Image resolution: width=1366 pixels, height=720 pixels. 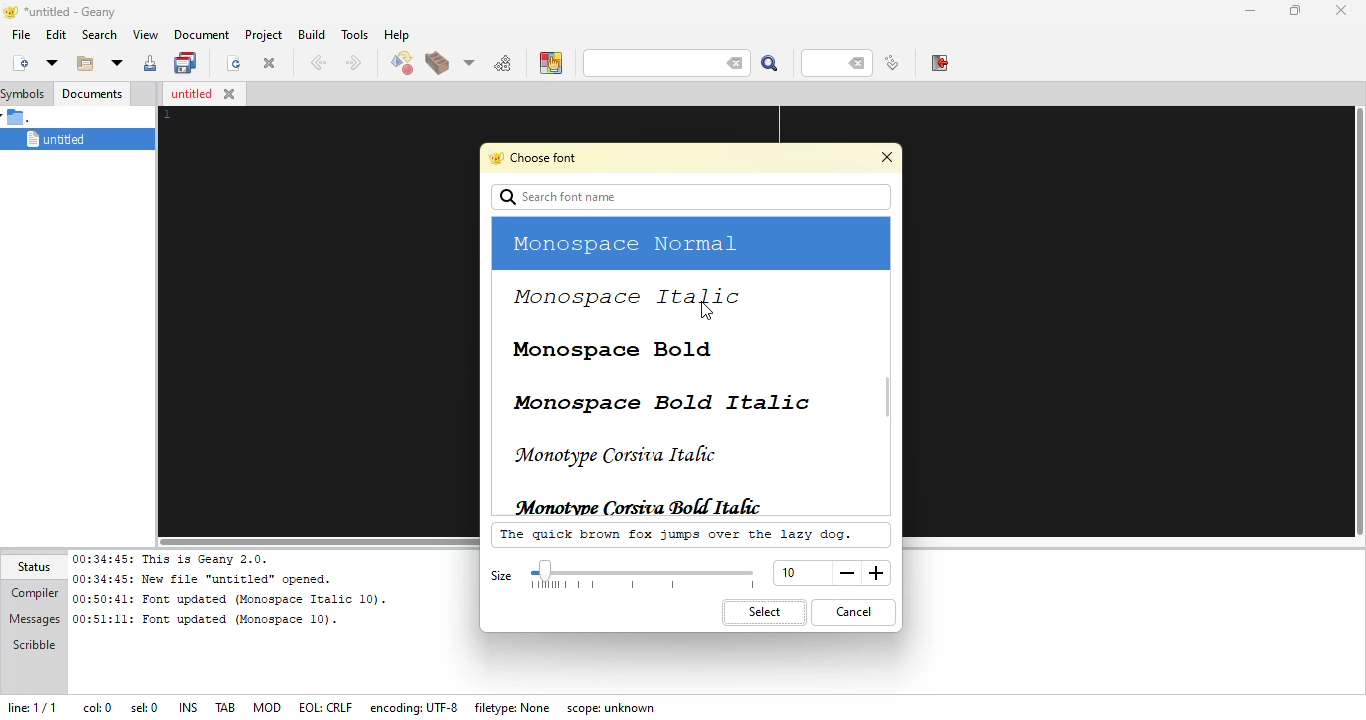 What do you see at coordinates (890, 64) in the screenshot?
I see `jump to line` at bounding box center [890, 64].